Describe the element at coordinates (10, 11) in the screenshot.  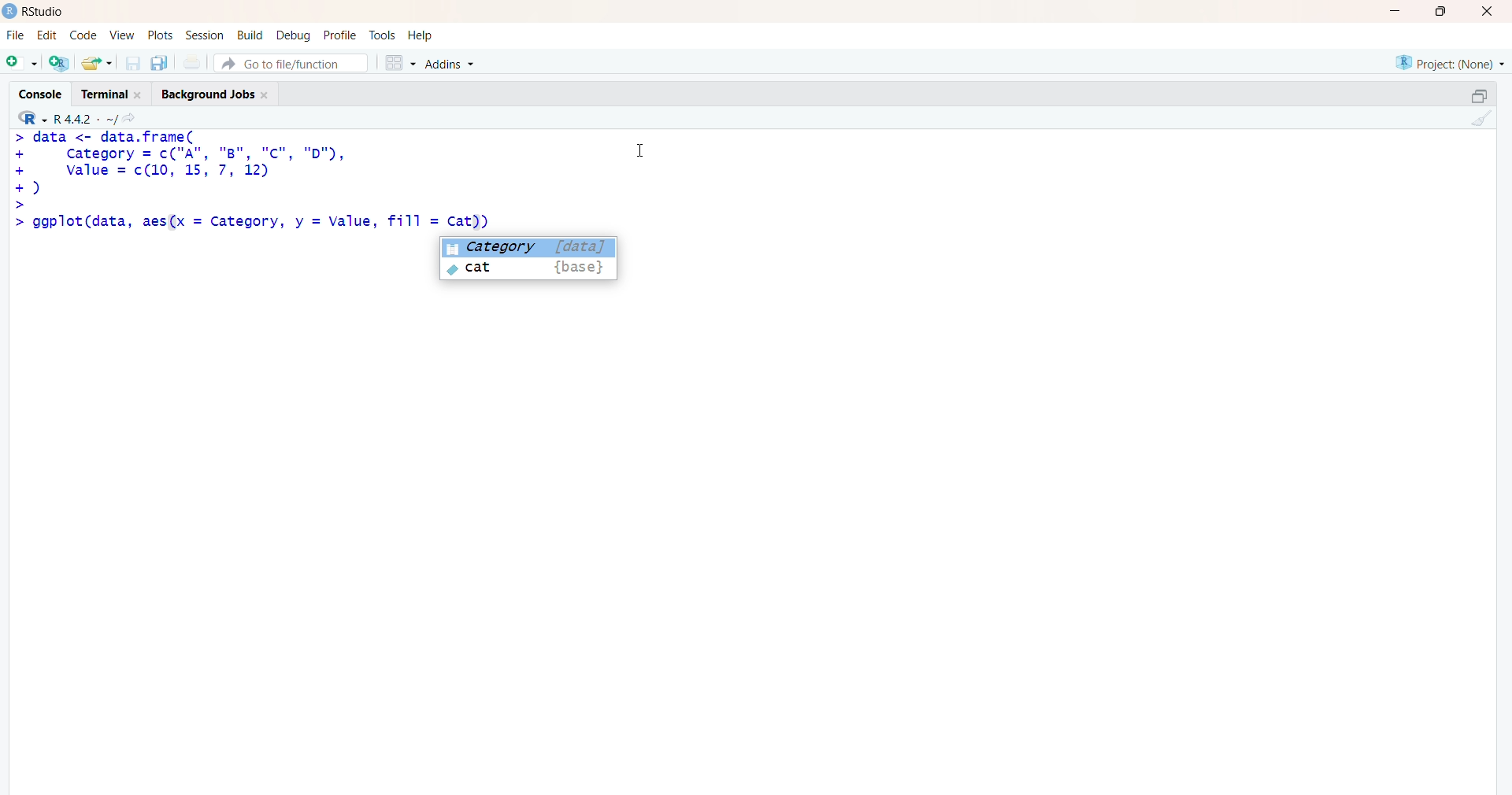
I see `logo` at that location.